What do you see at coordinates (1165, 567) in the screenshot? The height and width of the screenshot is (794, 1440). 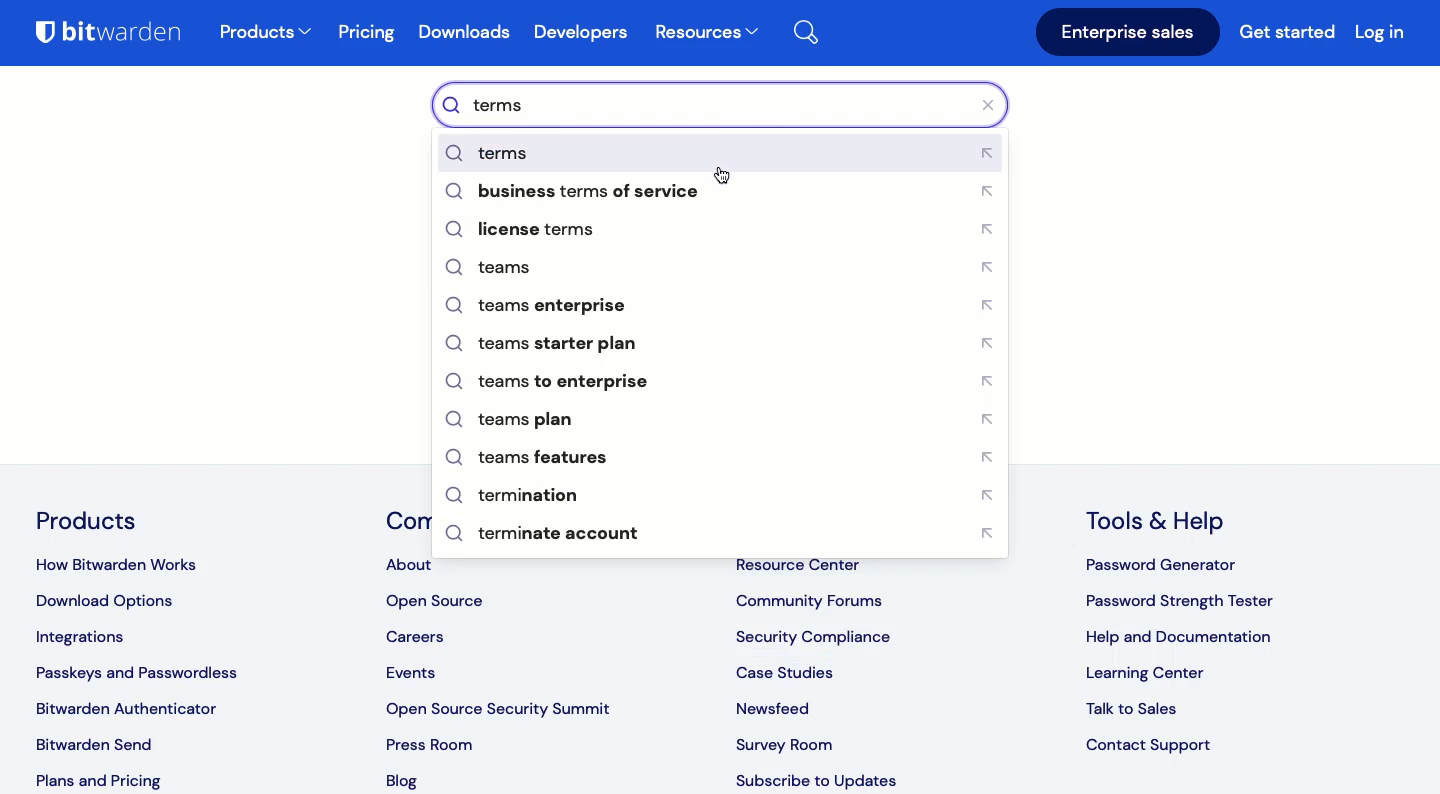 I see `password generator` at bounding box center [1165, 567].